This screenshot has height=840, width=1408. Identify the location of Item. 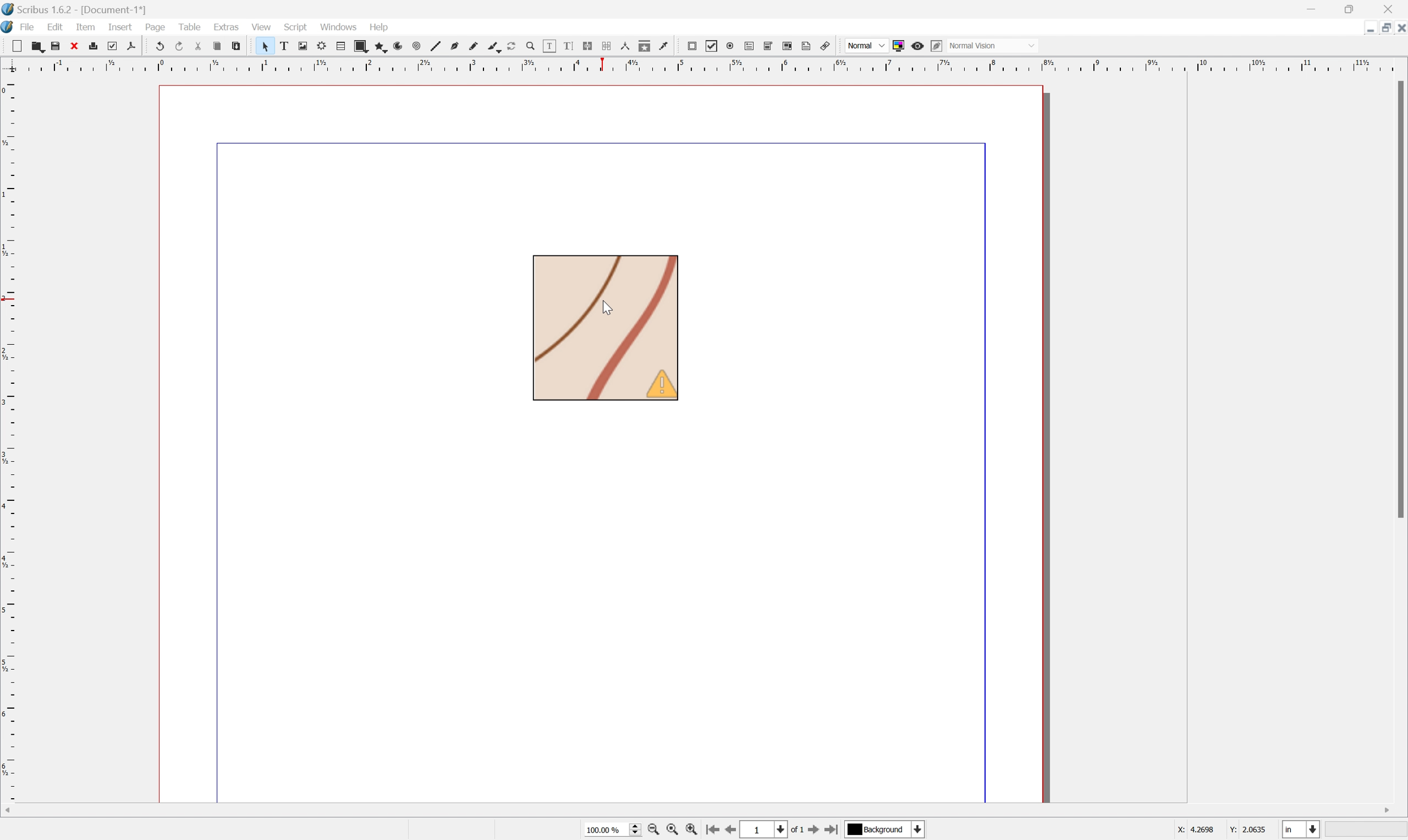
(85, 28).